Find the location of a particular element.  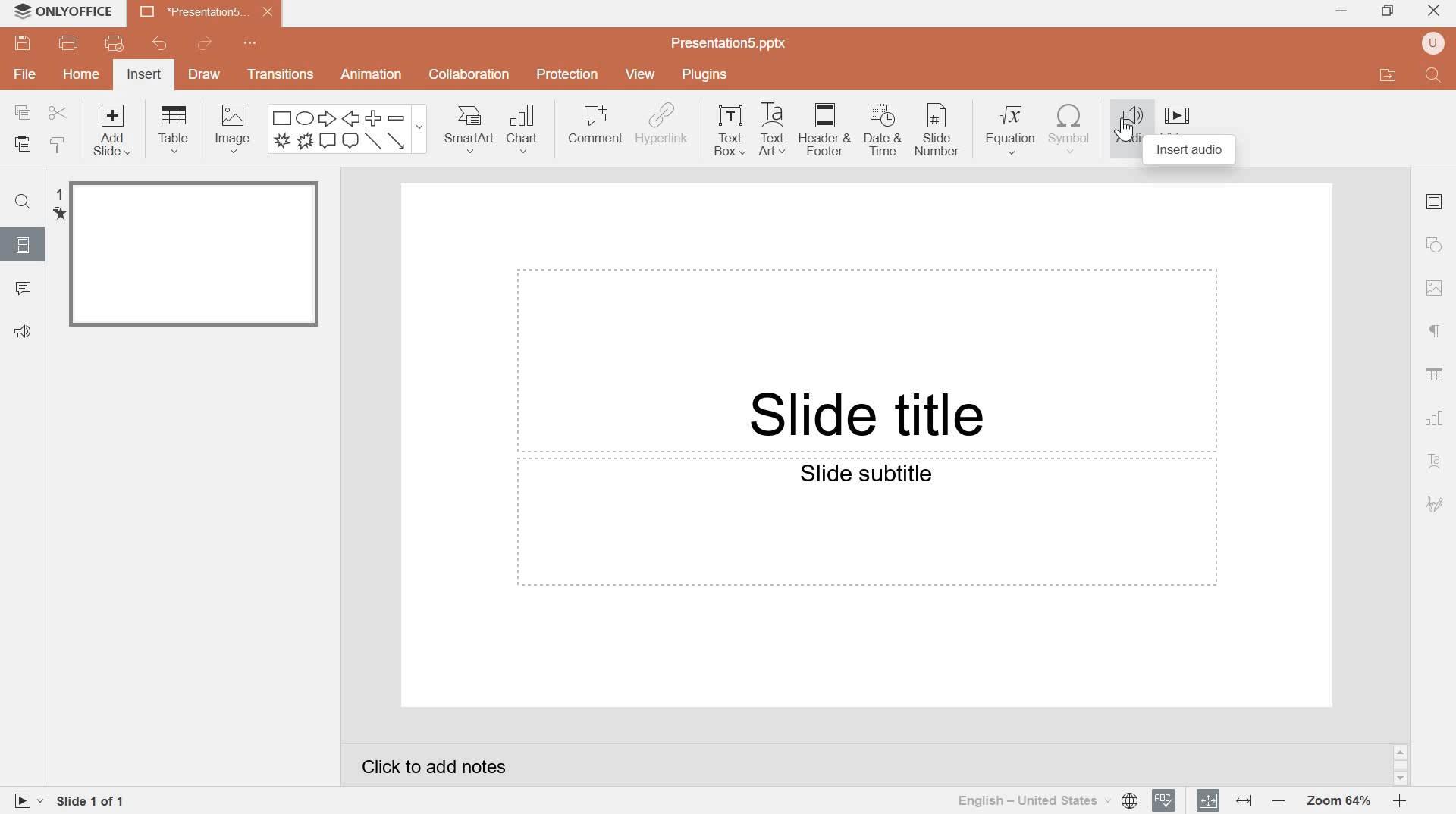

Presentation5.pptx is located at coordinates (730, 42).